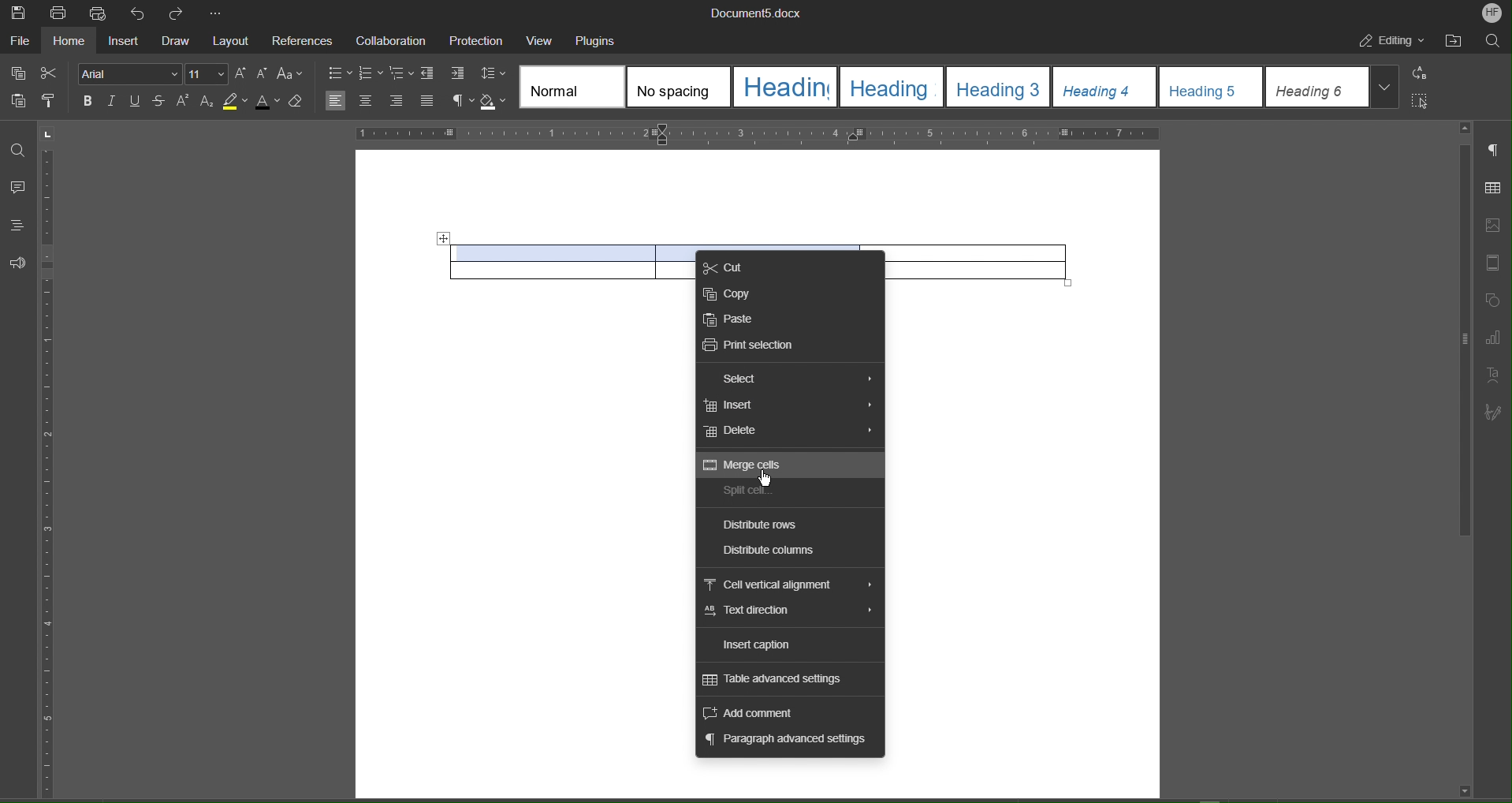  I want to click on Account, so click(1490, 13).